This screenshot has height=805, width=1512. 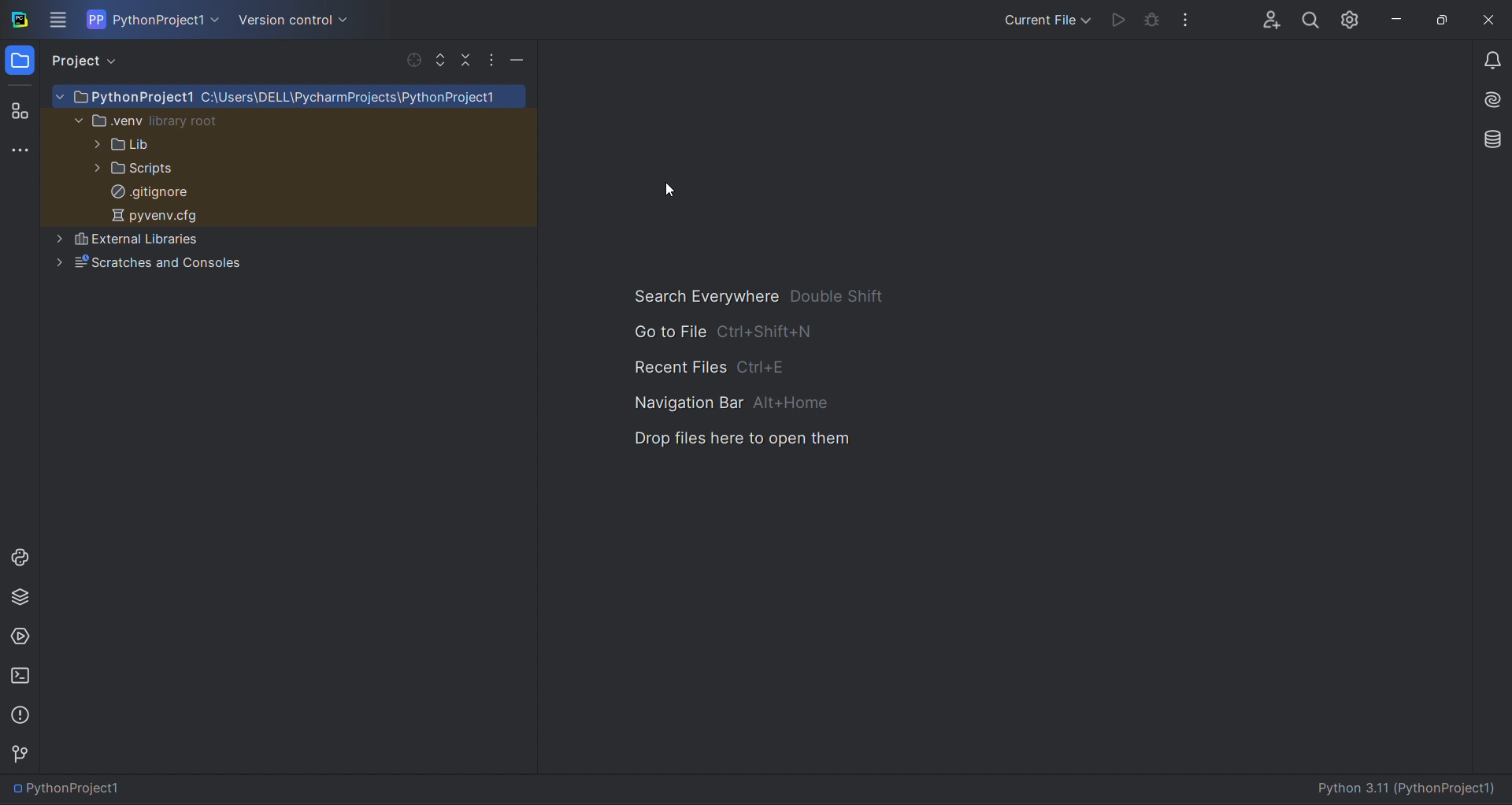 What do you see at coordinates (1447, 18) in the screenshot?
I see `maximize` at bounding box center [1447, 18].